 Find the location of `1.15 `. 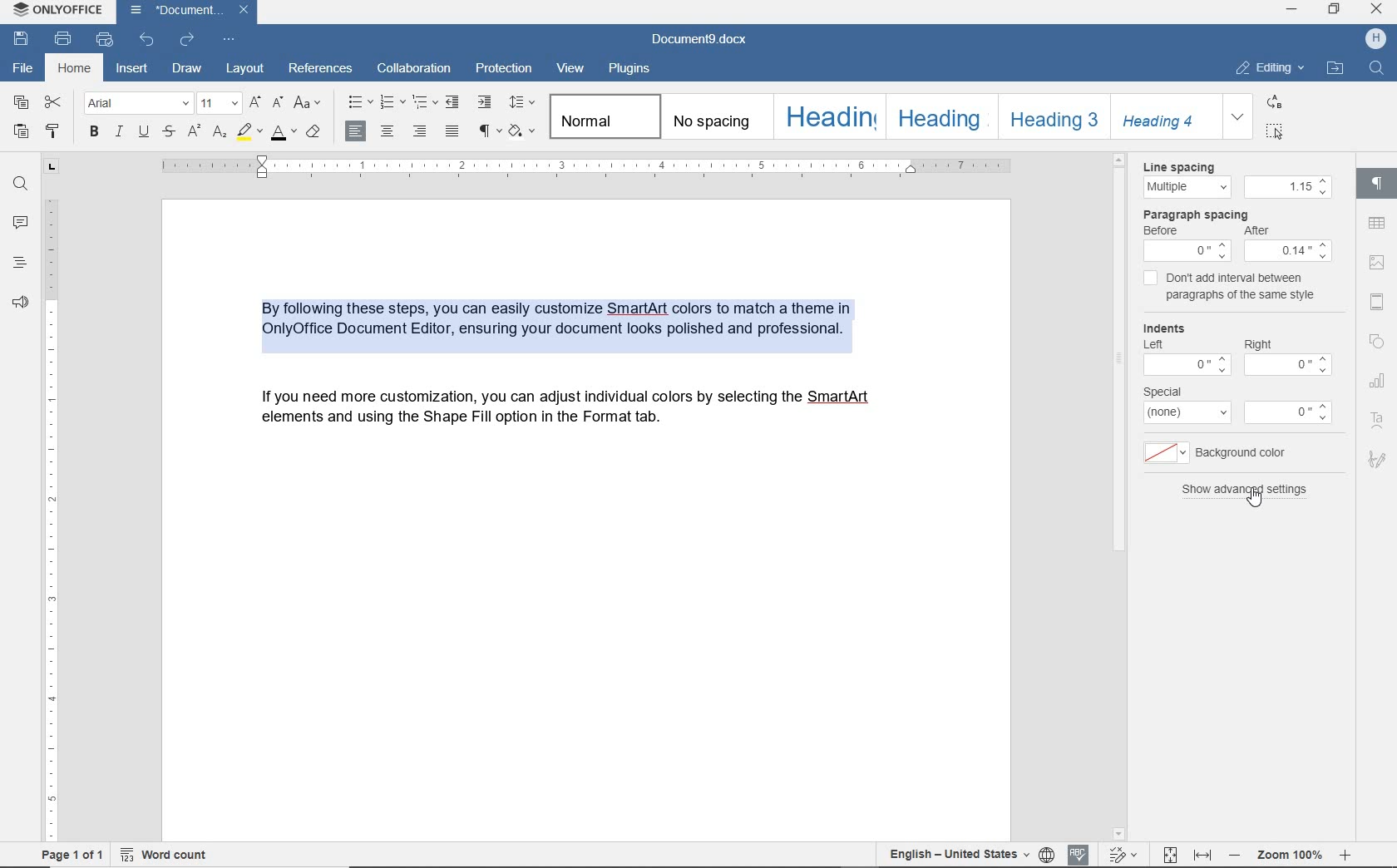

1.15  is located at coordinates (1287, 187).